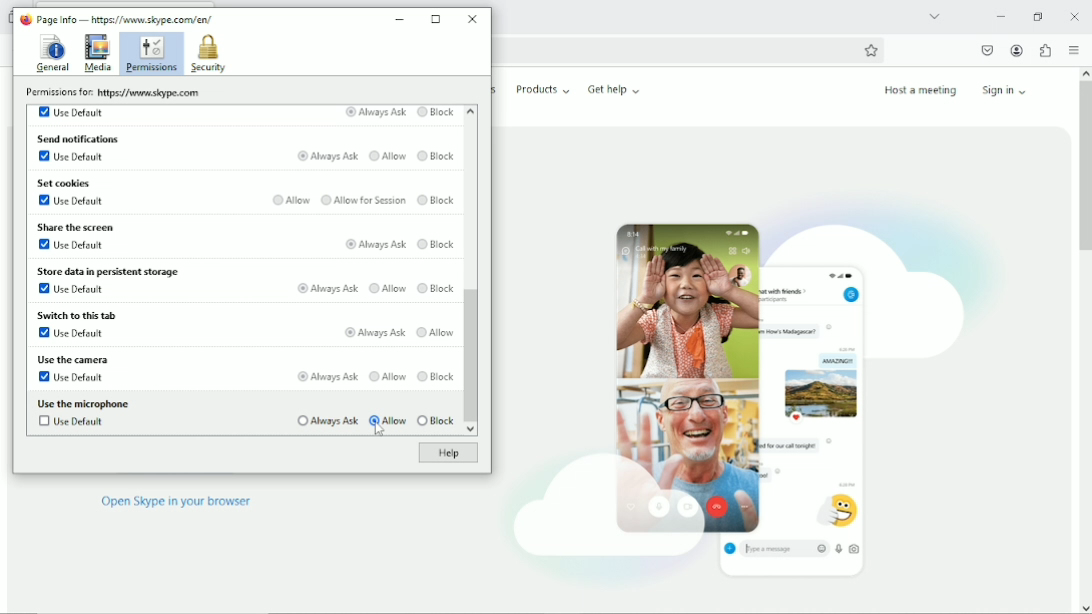 This screenshot has width=1092, height=614. I want to click on Always Ask, so click(375, 113).